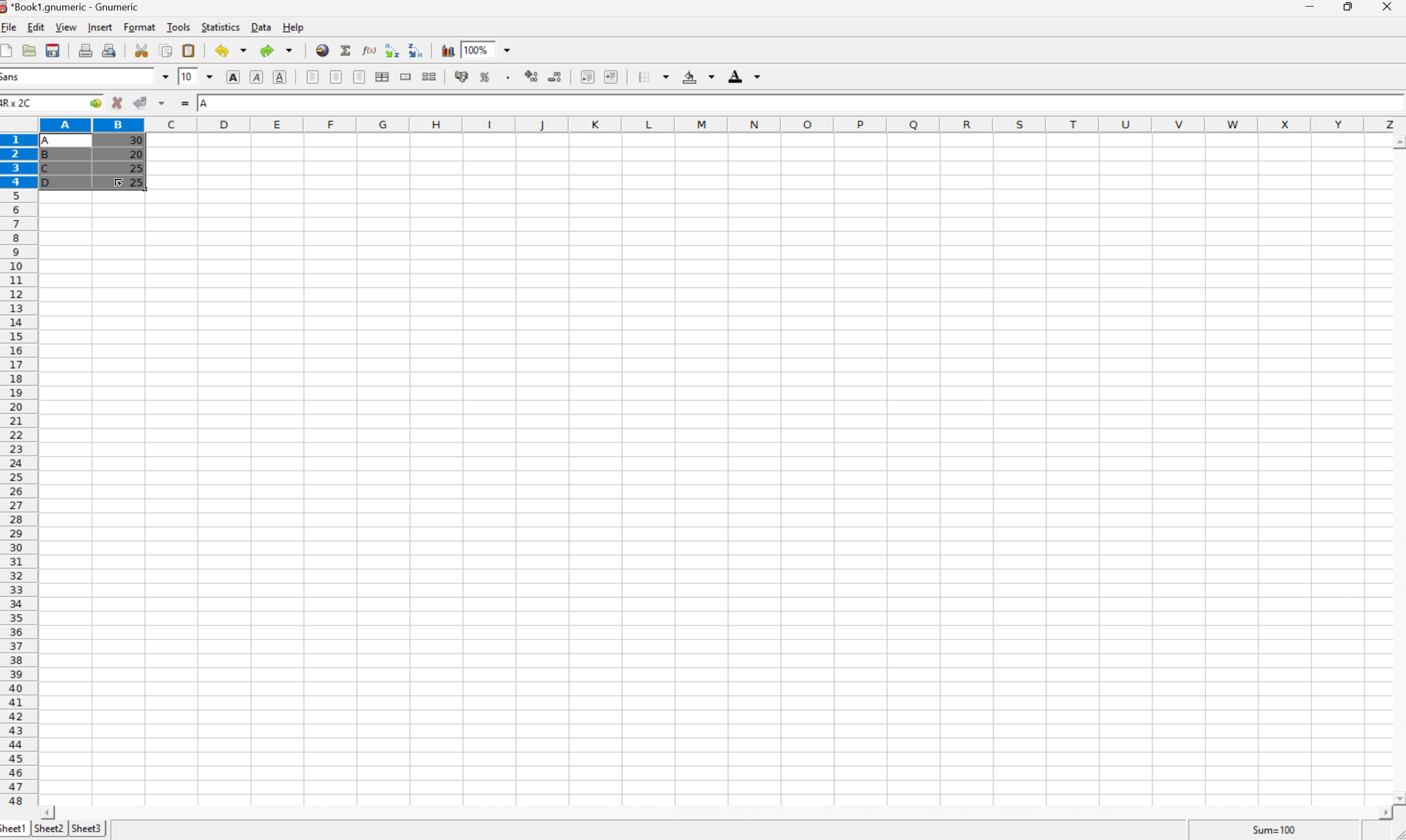  Describe the element at coordinates (371, 49) in the screenshot. I see `Edit function in current cell` at that location.